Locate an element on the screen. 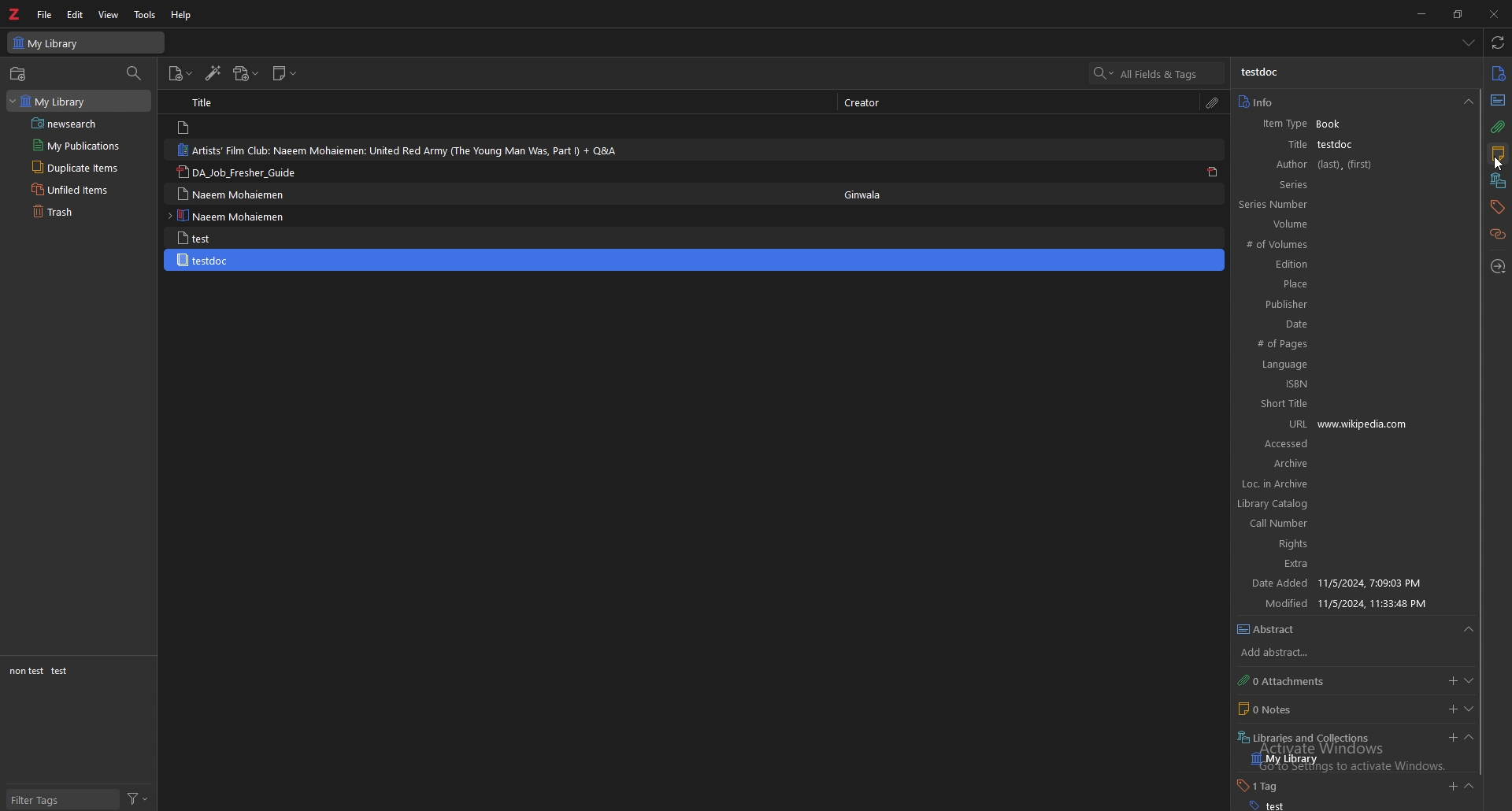  add tags is located at coordinates (1453, 786).